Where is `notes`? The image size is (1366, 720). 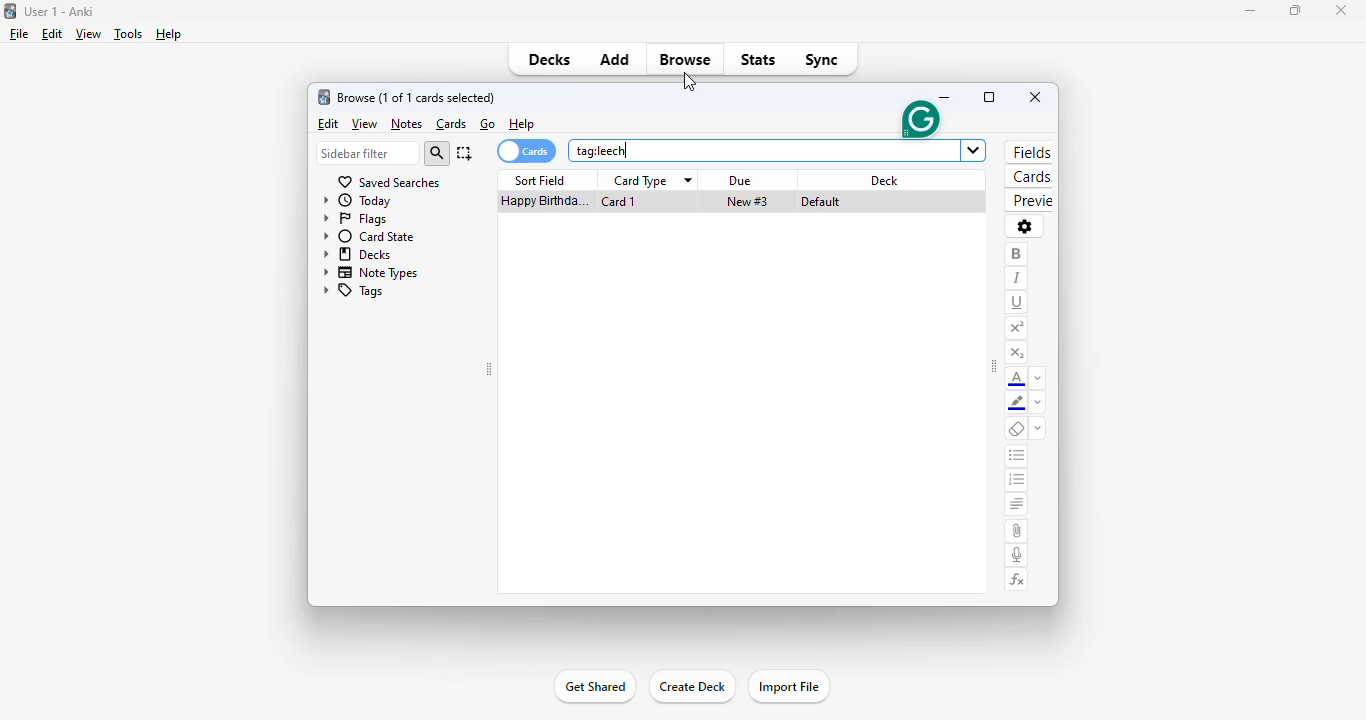
notes is located at coordinates (406, 124).